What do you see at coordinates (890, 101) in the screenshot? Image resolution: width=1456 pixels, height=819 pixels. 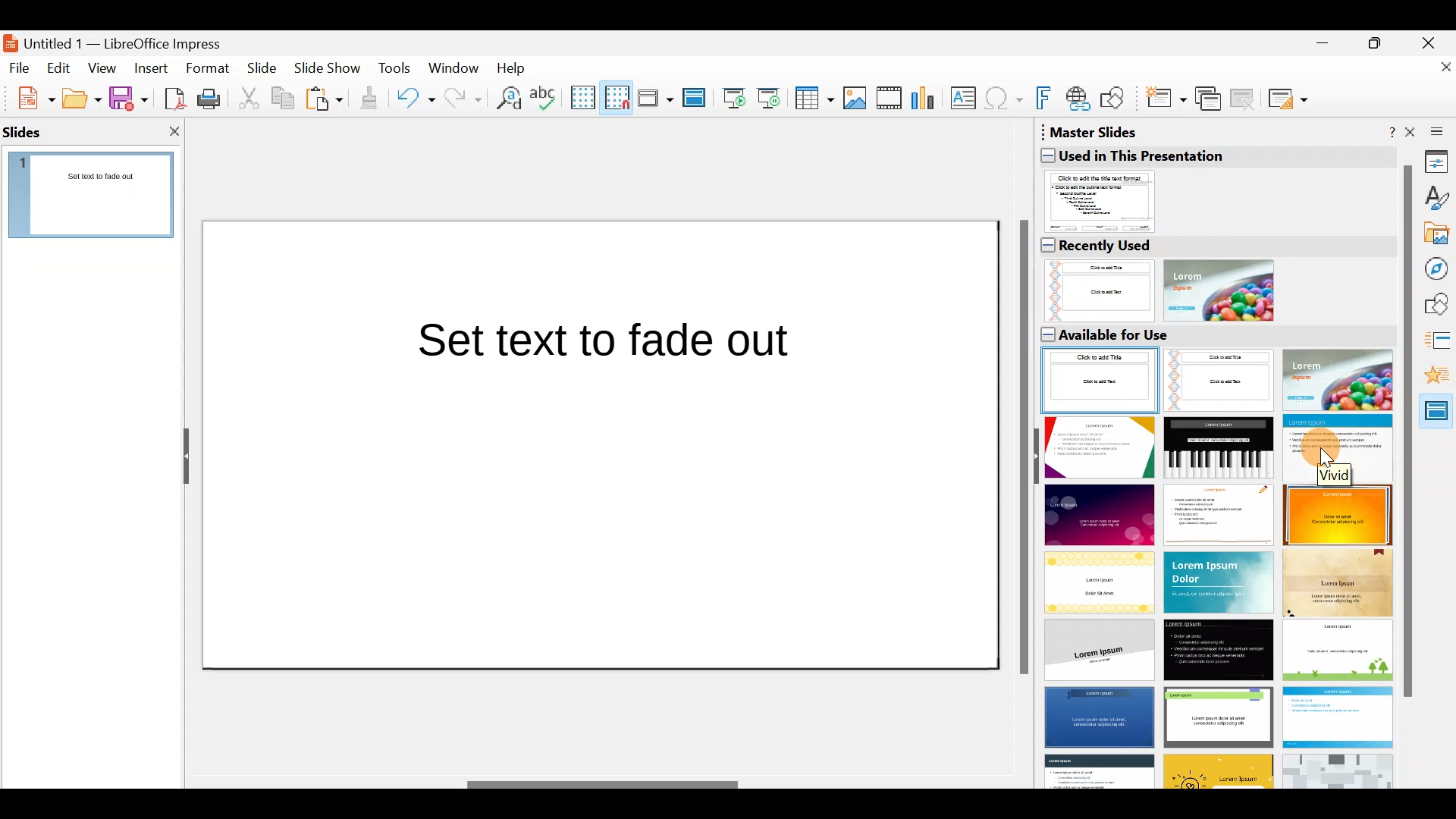 I see `Insert audio or video` at bounding box center [890, 101].